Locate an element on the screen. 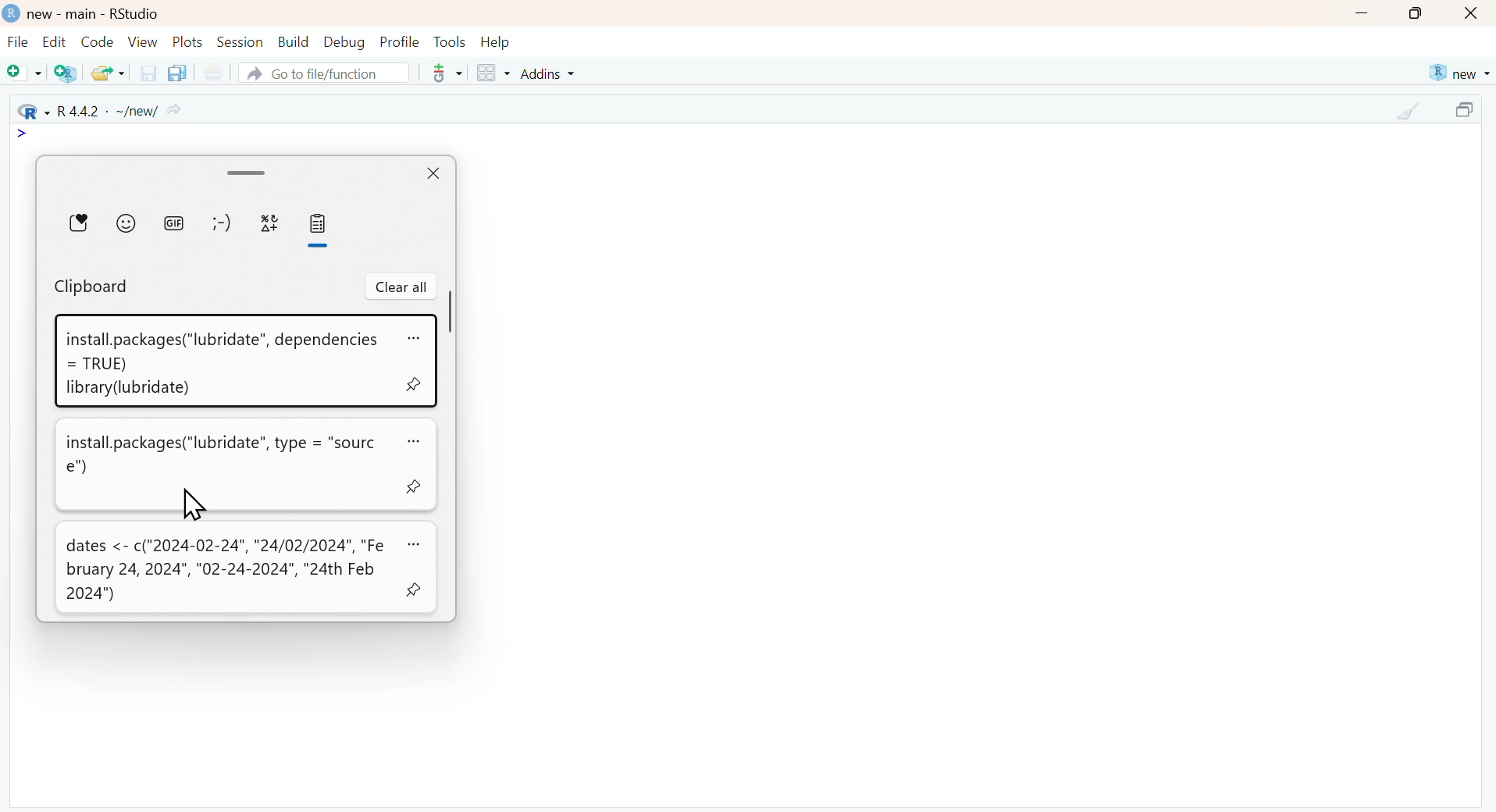 This screenshot has width=1496, height=812. Help is located at coordinates (496, 42).